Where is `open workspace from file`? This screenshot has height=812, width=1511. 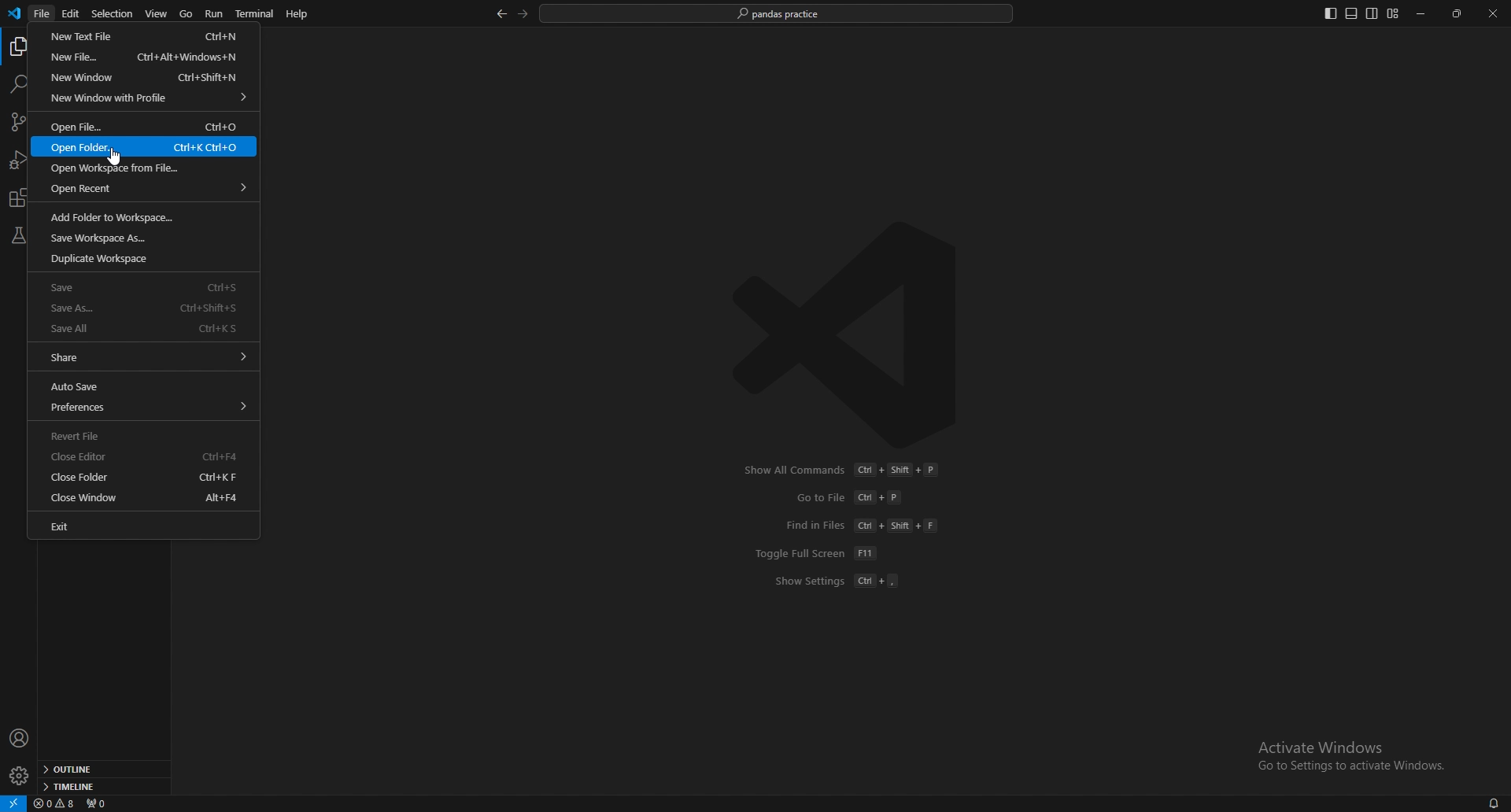
open workspace from file is located at coordinates (144, 168).